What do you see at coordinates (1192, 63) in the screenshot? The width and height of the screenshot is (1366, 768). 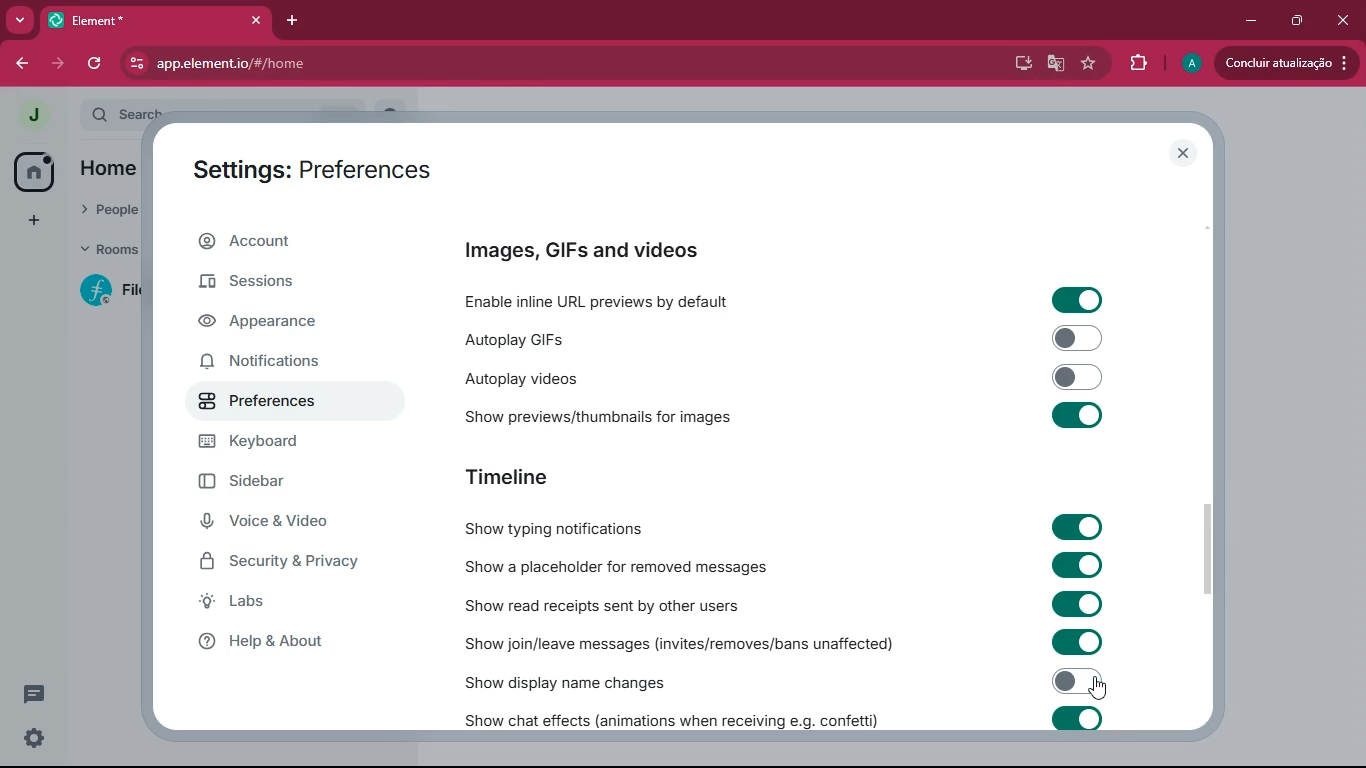 I see `profile picture` at bounding box center [1192, 63].